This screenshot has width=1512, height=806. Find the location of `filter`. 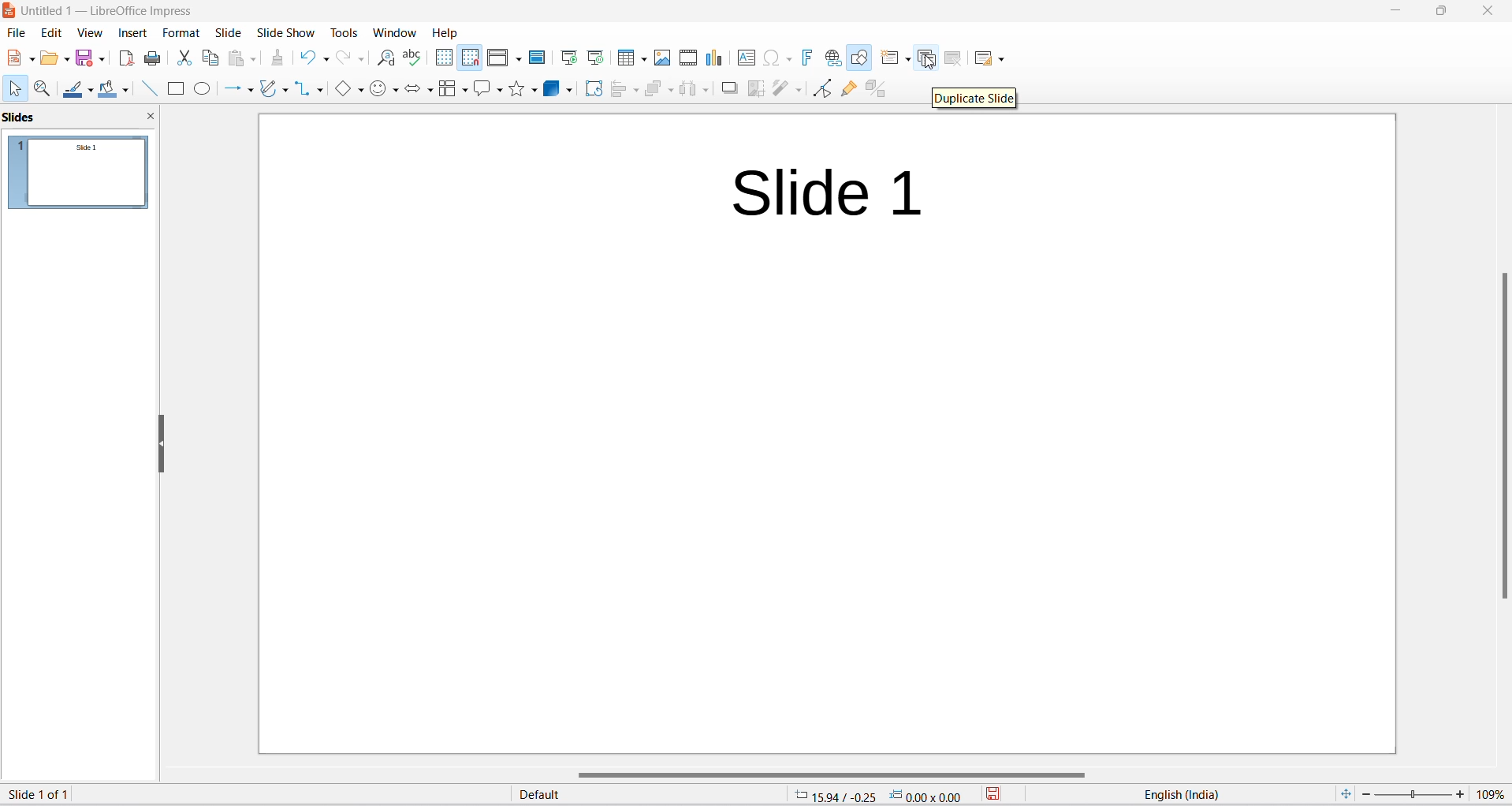

filter is located at coordinates (786, 91).